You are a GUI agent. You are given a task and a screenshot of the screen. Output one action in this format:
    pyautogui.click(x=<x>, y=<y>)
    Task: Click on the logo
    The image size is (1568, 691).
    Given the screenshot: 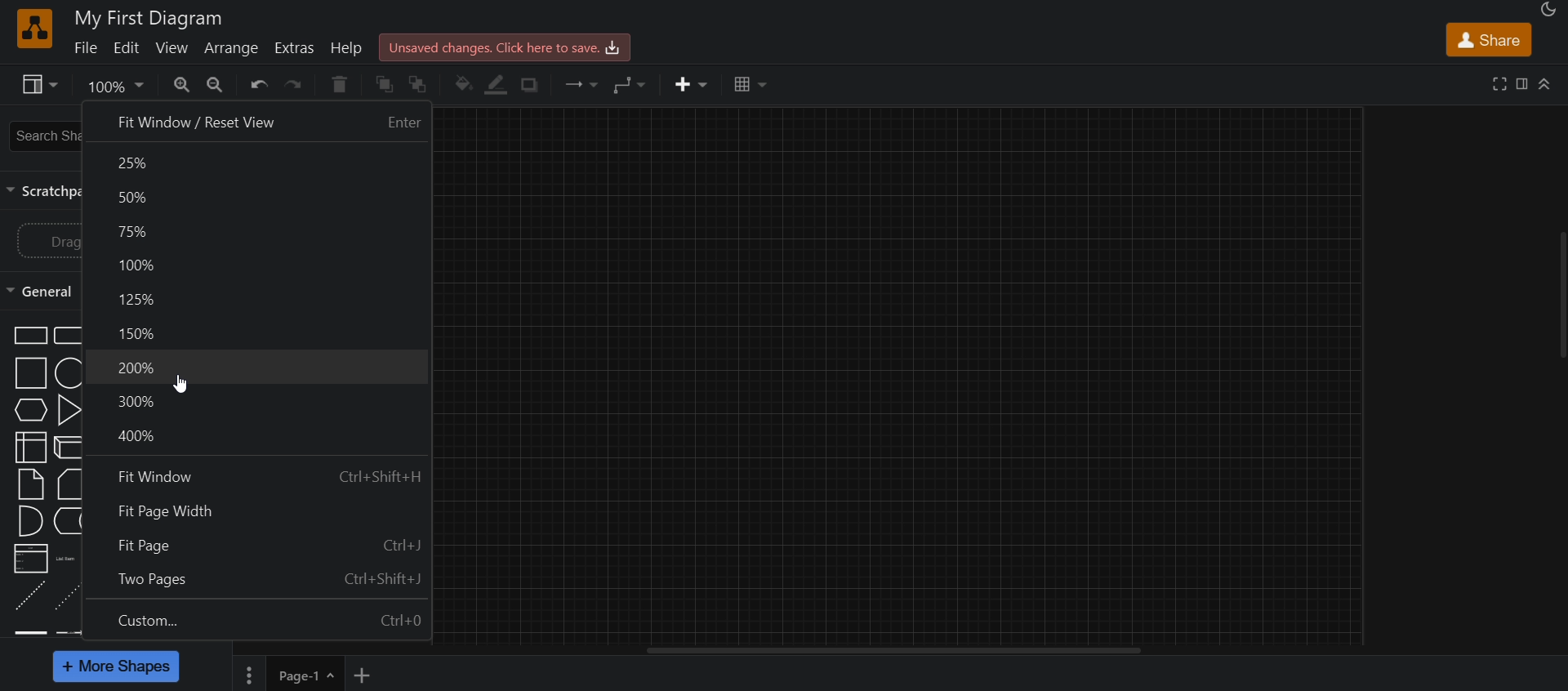 What is the action you would take?
    pyautogui.click(x=32, y=26)
    